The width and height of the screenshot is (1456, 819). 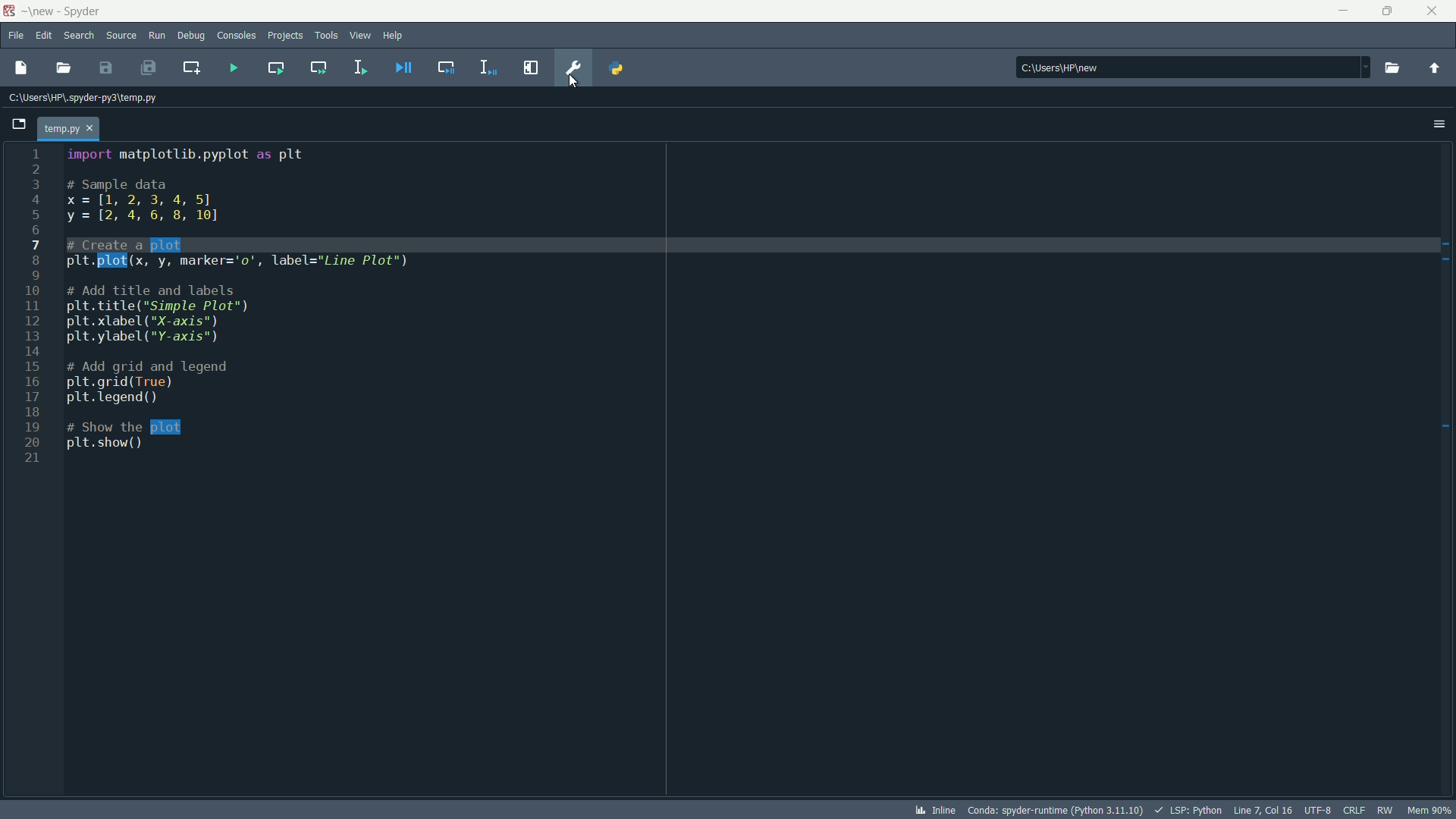 What do you see at coordinates (1345, 11) in the screenshot?
I see `minimize` at bounding box center [1345, 11].